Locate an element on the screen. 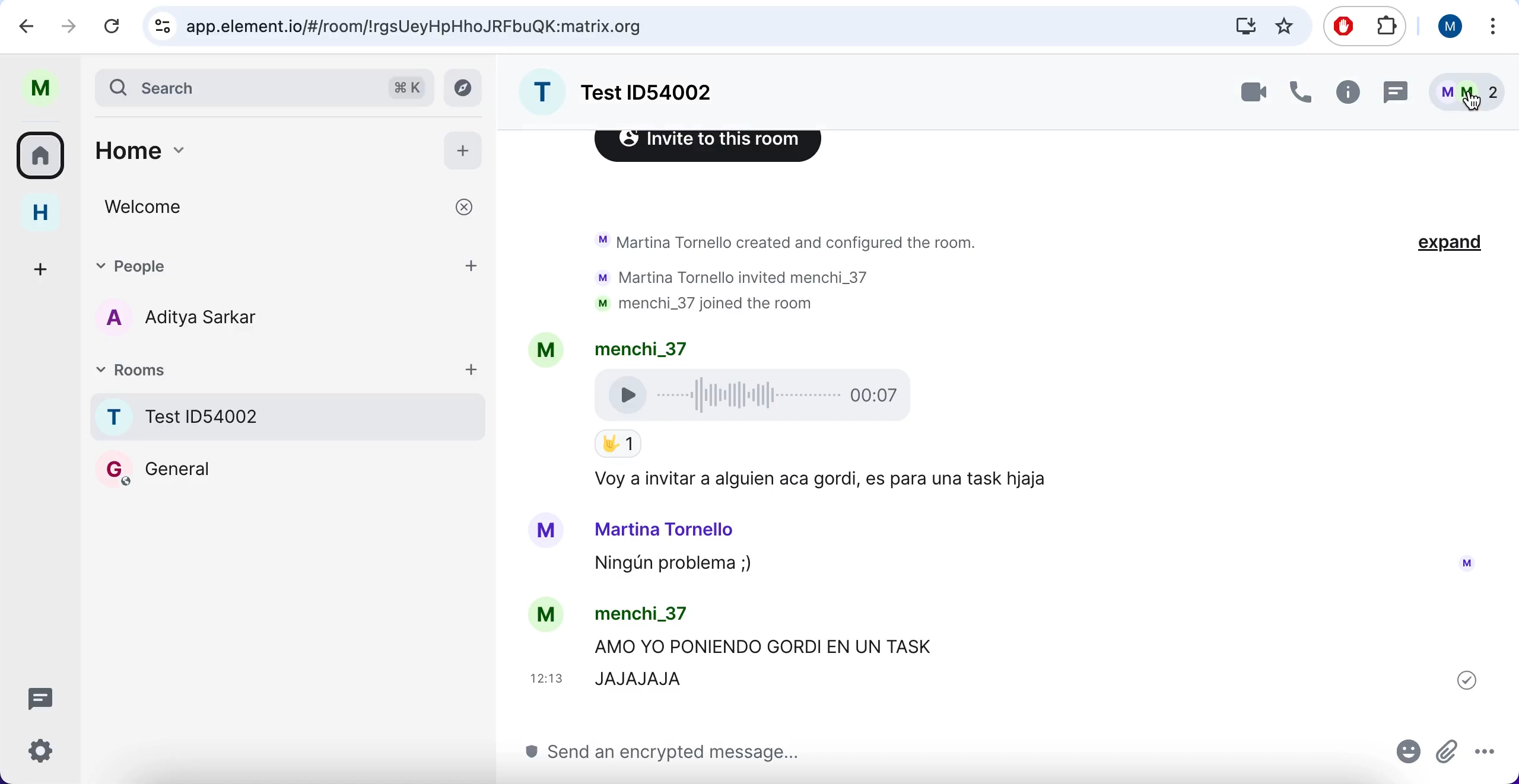  menchi_37 is located at coordinates (646, 349).